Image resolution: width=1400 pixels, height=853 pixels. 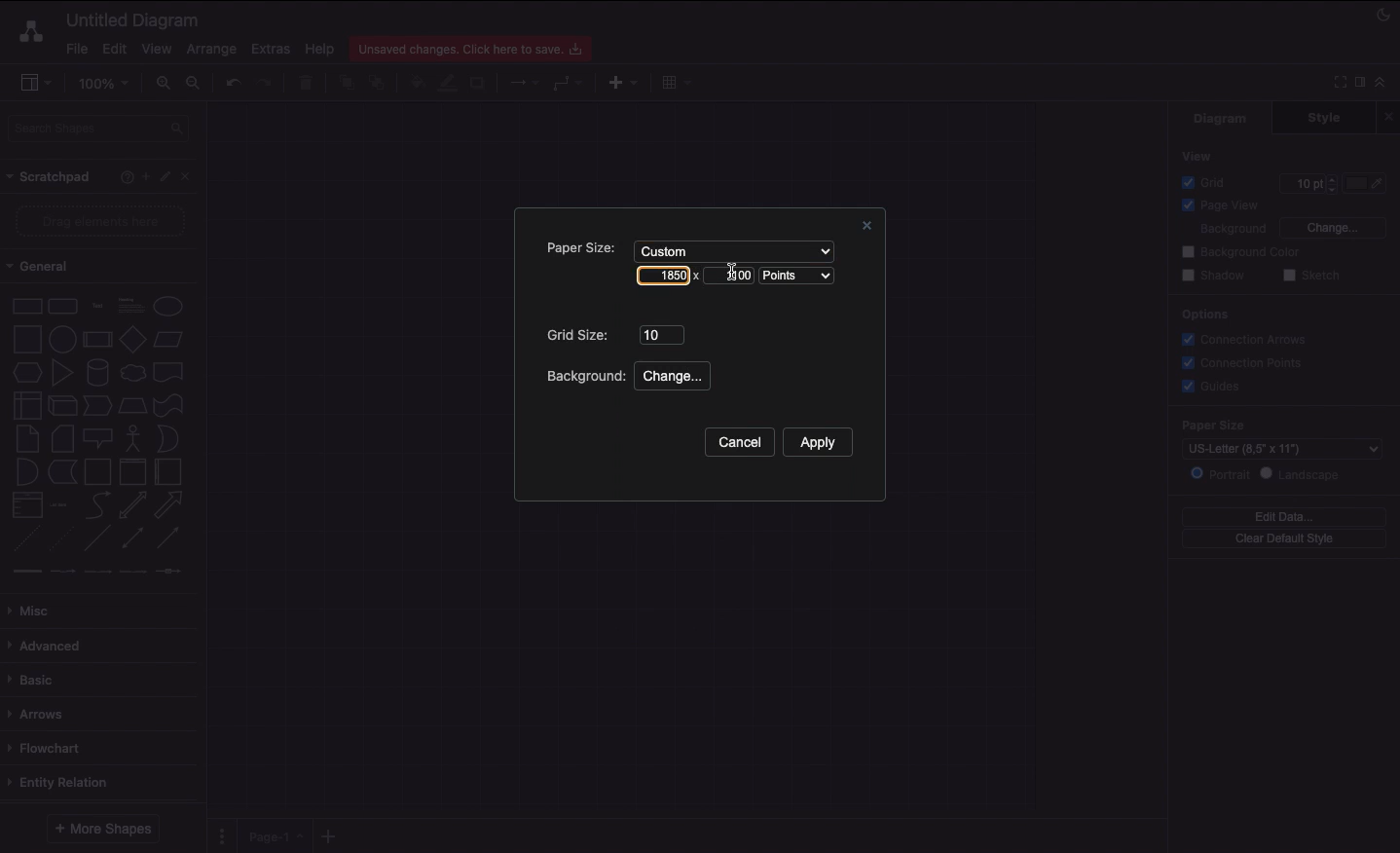 I want to click on Search shapes, so click(x=100, y=131).